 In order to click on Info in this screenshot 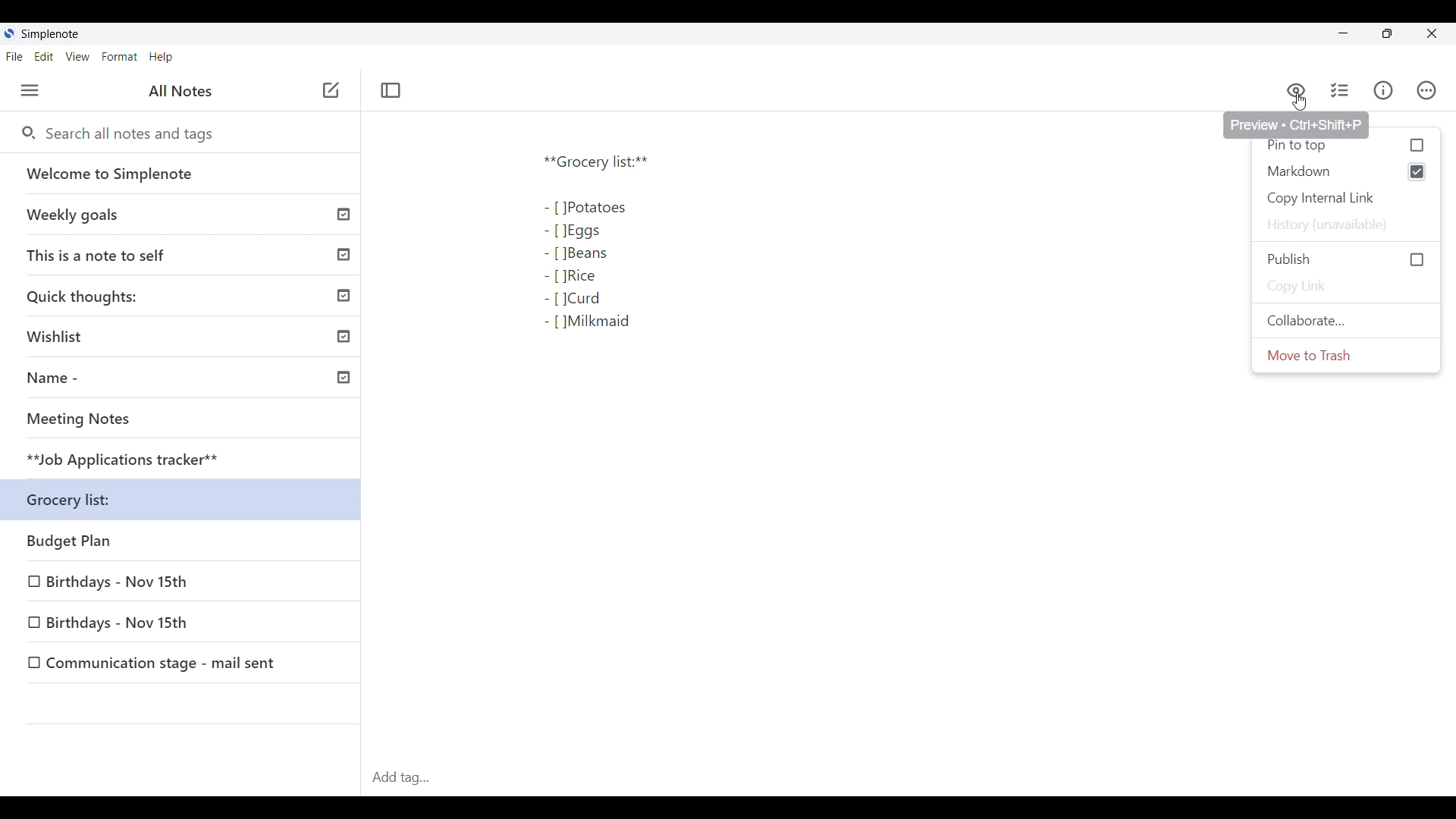, I will do `click(1383, 90)`.